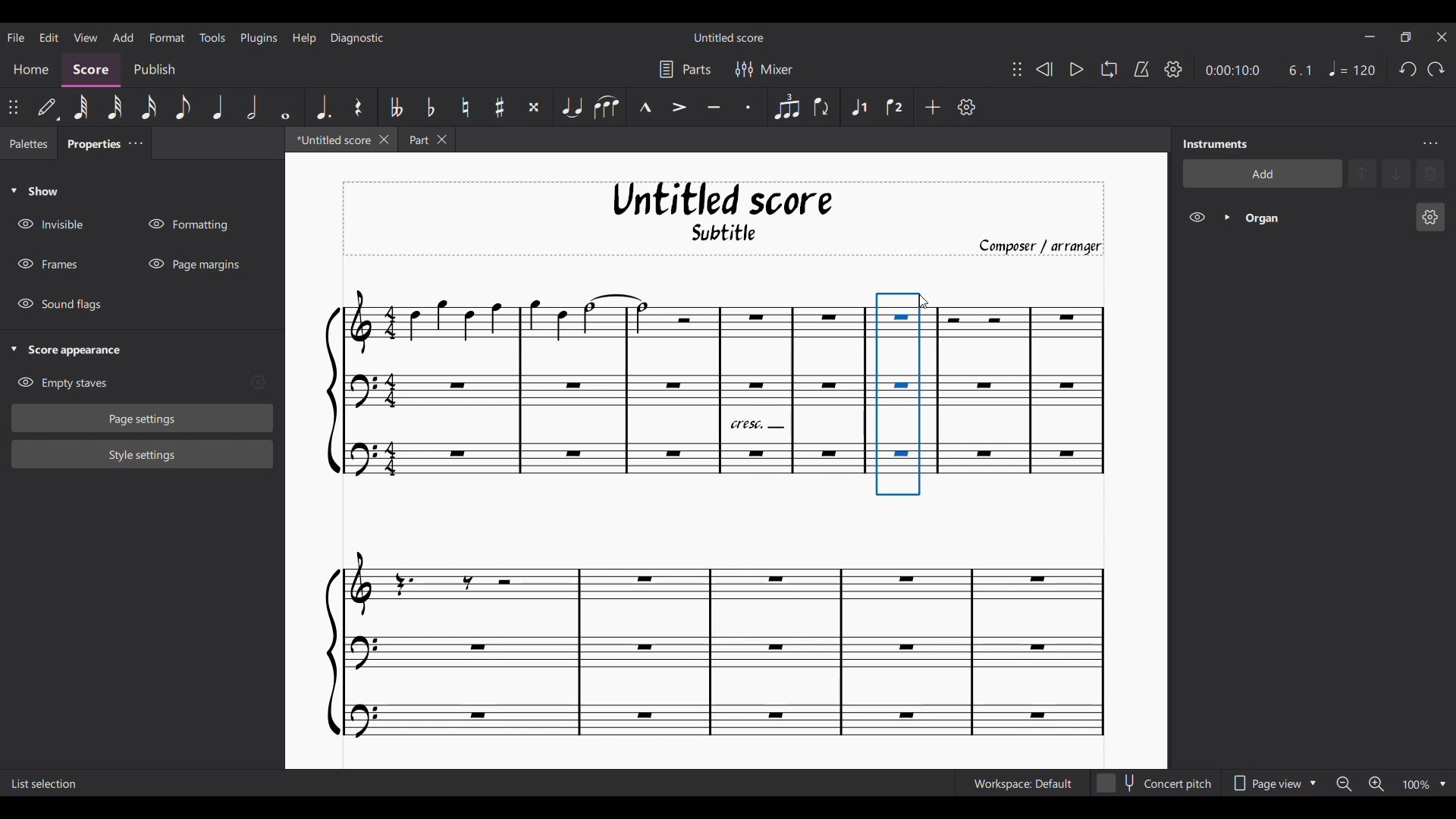 Image resolution: width=1456 pixels, height=819 pixels. I want to click on 32nd note, so click(115, 108).